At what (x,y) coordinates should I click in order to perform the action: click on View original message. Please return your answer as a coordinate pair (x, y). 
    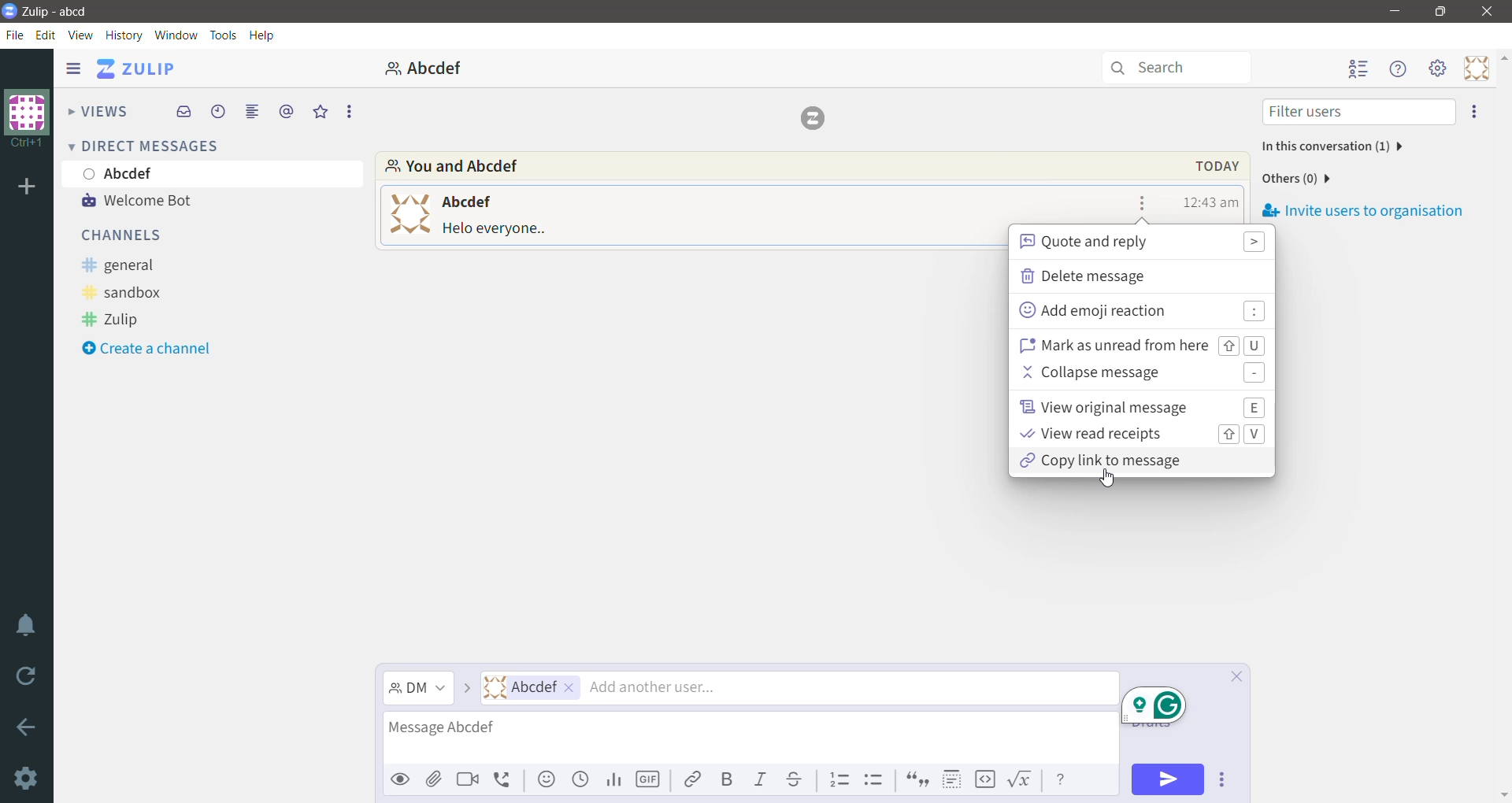
    Looking at the image, I should click on (1141, 407).